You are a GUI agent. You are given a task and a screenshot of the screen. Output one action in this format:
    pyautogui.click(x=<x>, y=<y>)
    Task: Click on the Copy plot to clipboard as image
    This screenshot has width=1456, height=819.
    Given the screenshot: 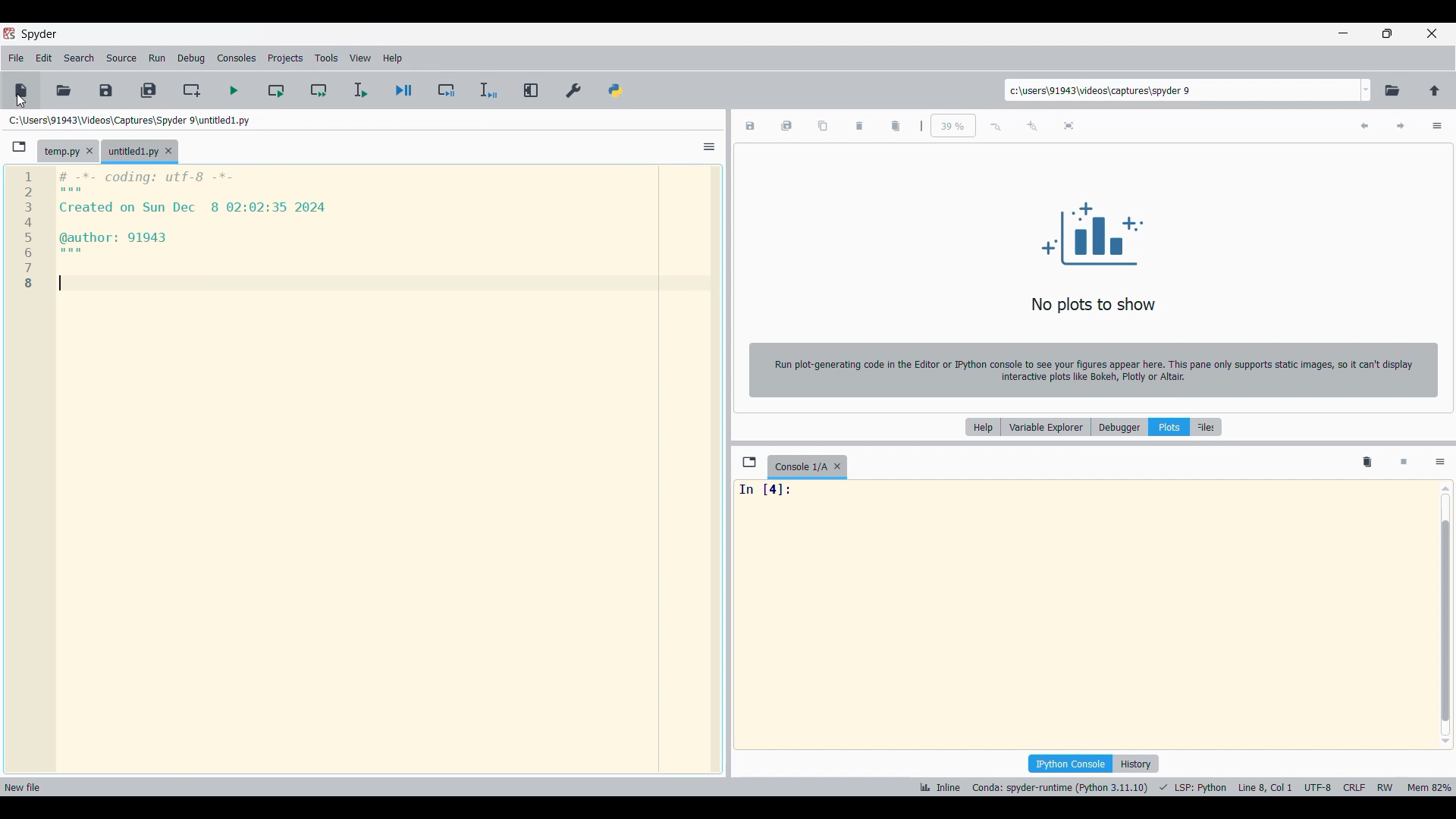 What is the action you would take?
    pyautogui.click(x=823, y=126)
    